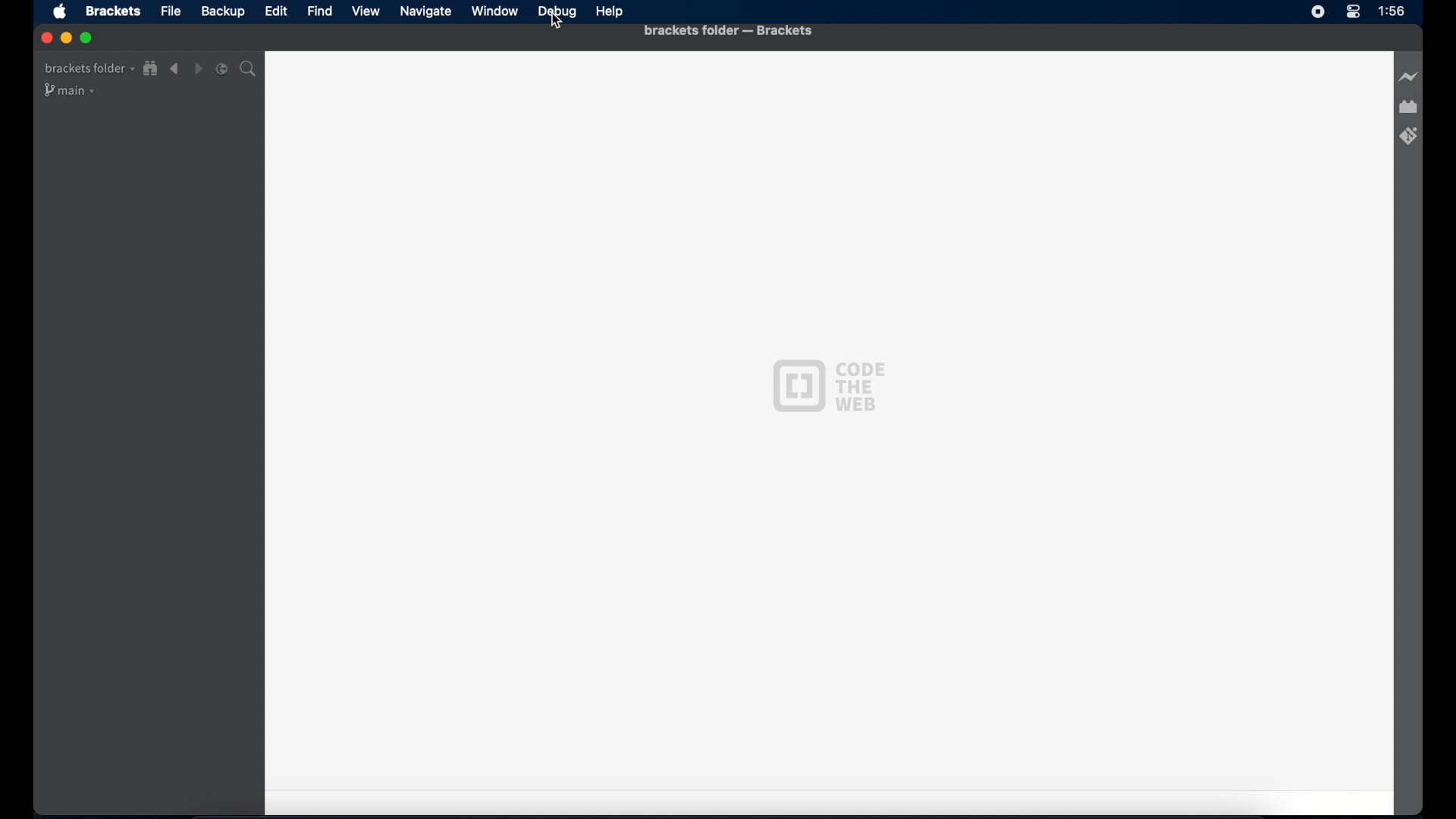  Describe the element at coordinates (1407, 77) in the screenshot. I see `live preview` at that location.